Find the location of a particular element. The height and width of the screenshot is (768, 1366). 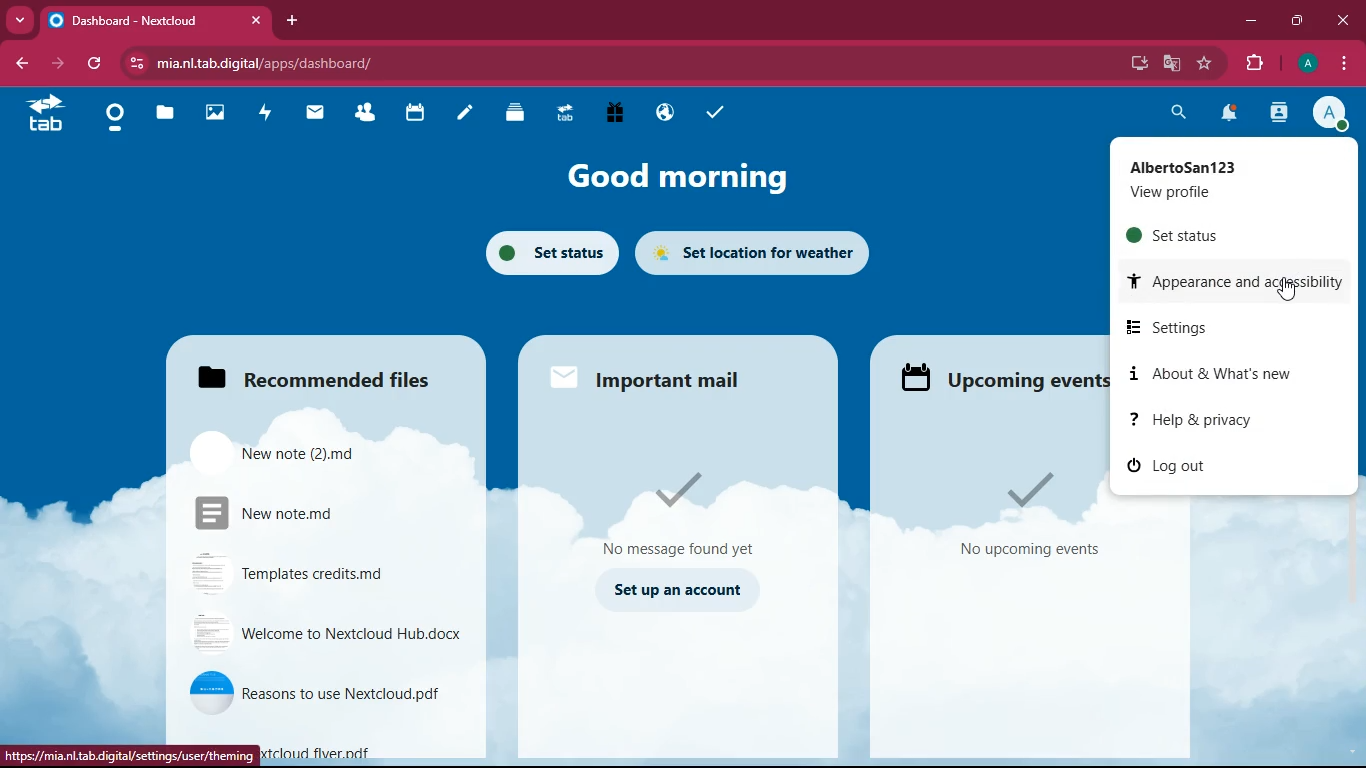

more is located at coordinates (22, 18).